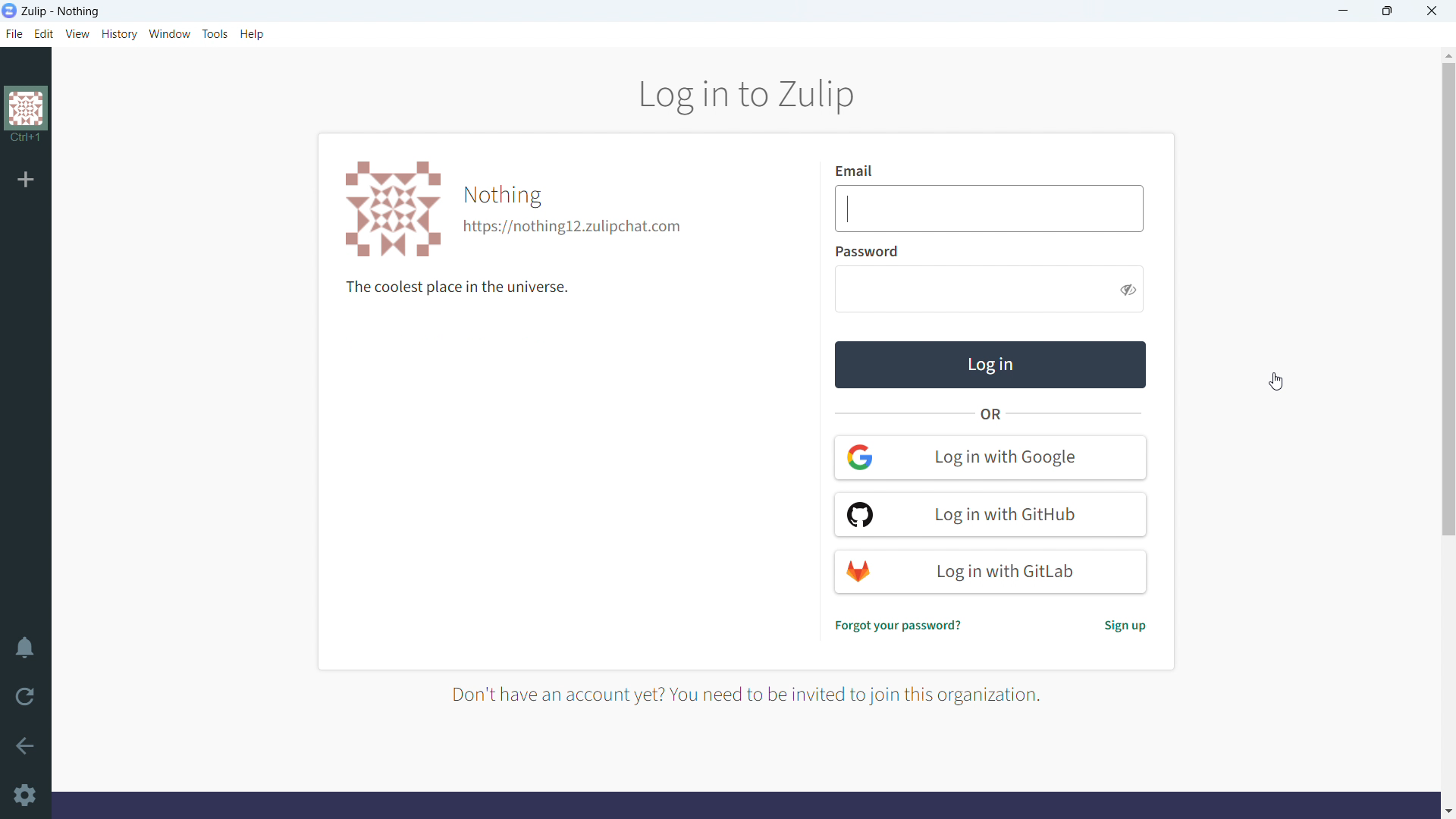  What do you see at coordinates (990, 209) in the screenshot?
I see `enter email` at bounding box center [990, 209].